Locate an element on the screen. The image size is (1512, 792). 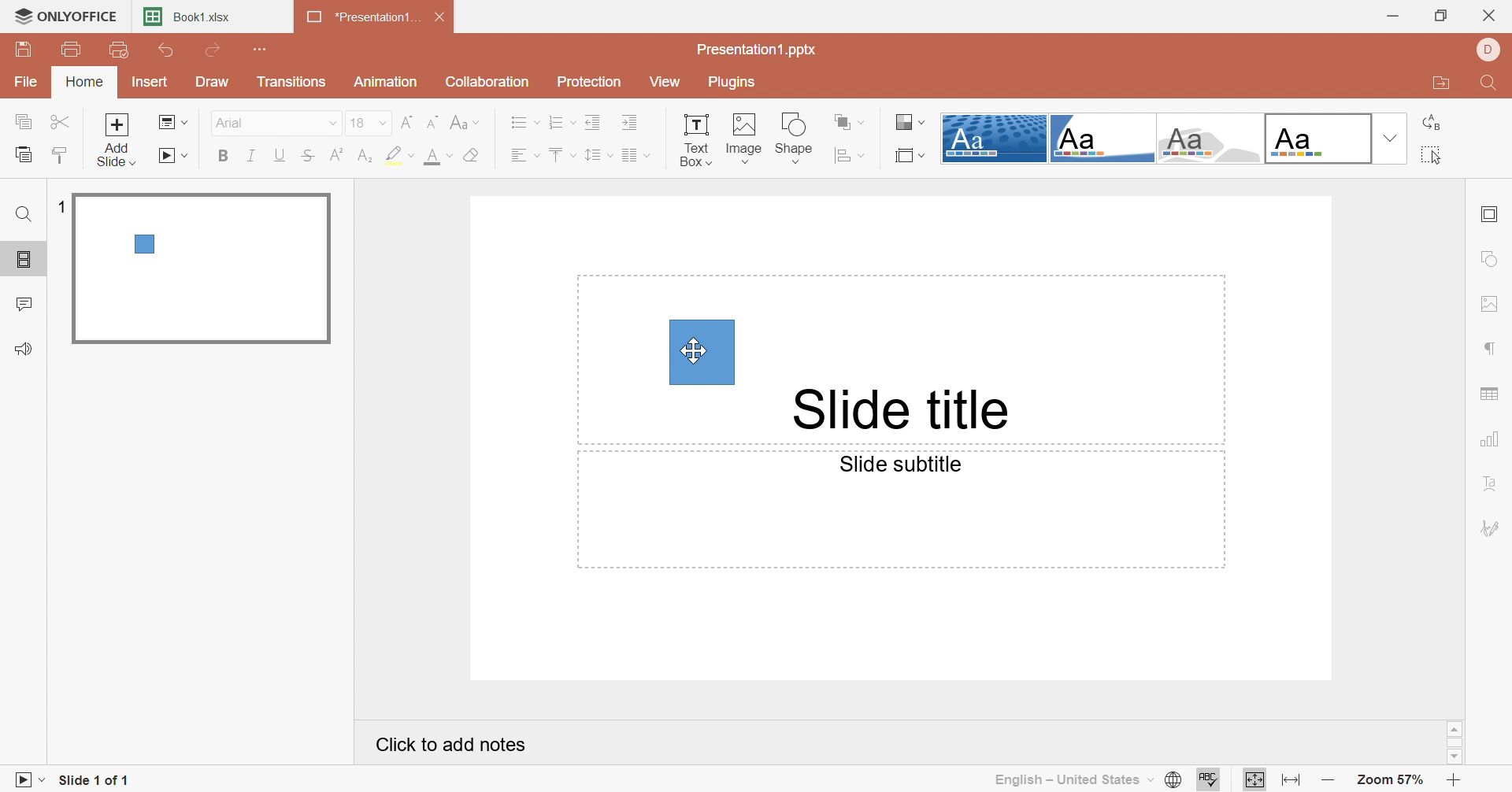
Line spacing is located at coordinates (596, 151).